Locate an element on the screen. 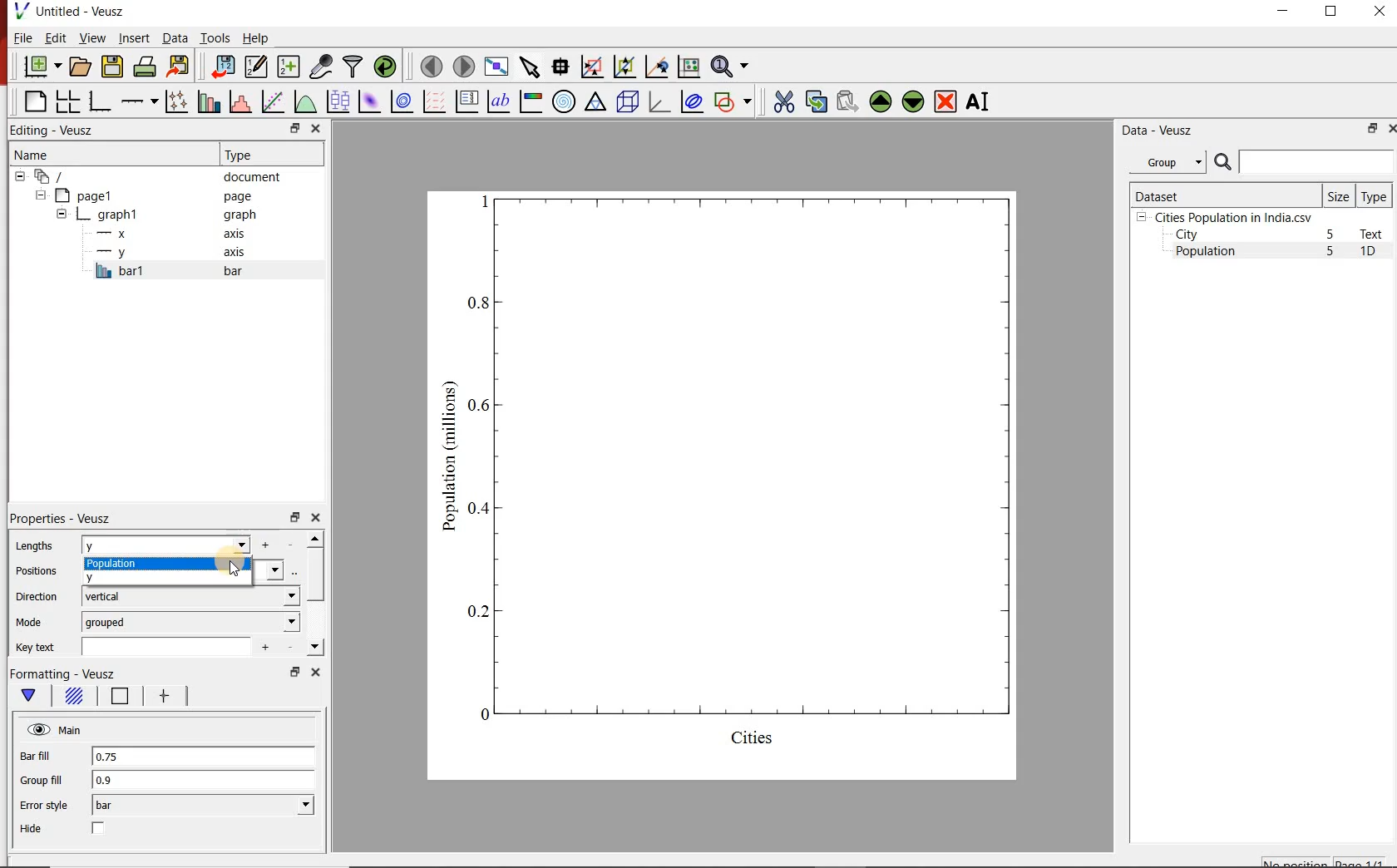 Image resolution: width=1397 pixels, height=868 pixels. Error bar line is located at coordinates (161, 698).